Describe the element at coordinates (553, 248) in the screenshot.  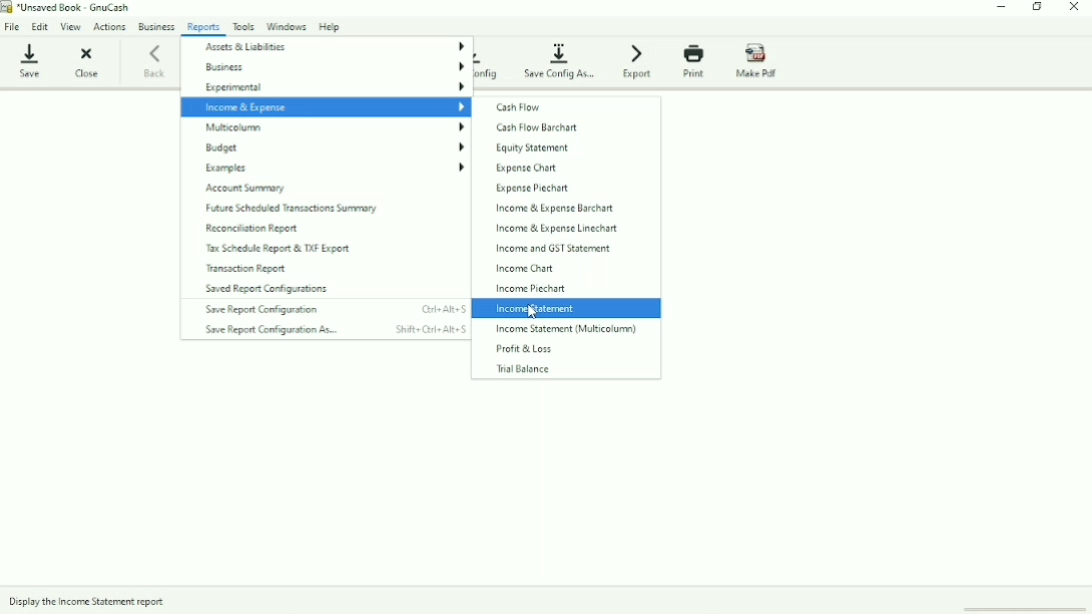
I see `Income and GST Statement` at that location.